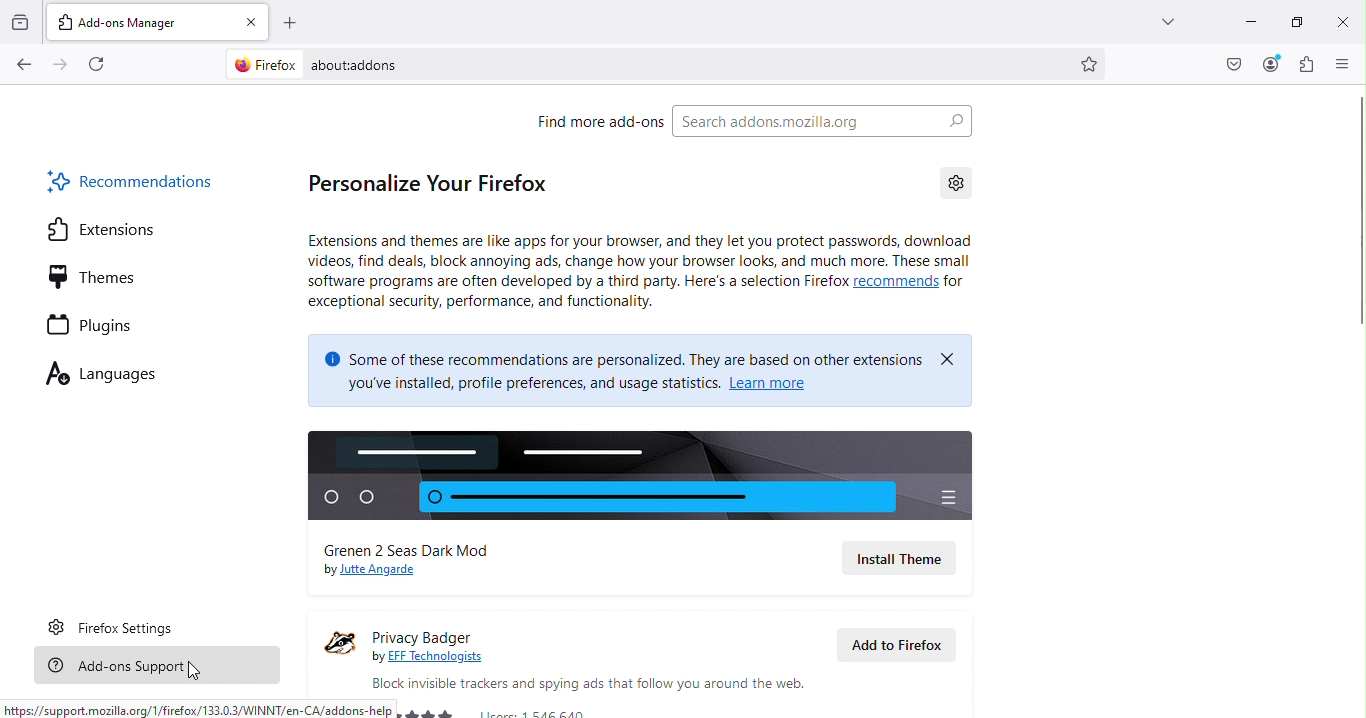 This screenshot has height=718, width=1366. Describe the element at coordinates (139, 21) in the screenshot. I see `Add-ons manager` at that location.